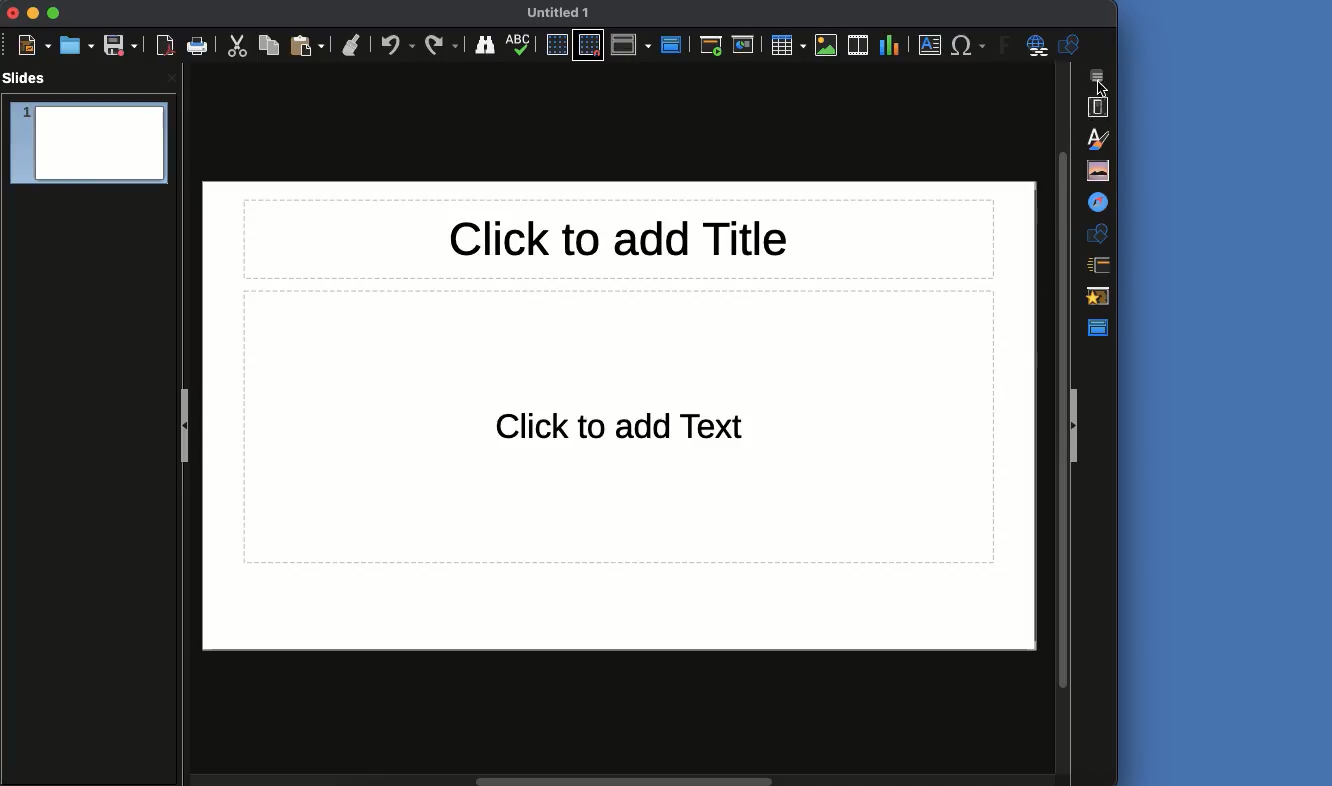 This screenshot has width=1332, height=786. What do you see at coordinates (89, 146) in the screenshot?
I see `Slide 1` at bounding box center [89, 146].